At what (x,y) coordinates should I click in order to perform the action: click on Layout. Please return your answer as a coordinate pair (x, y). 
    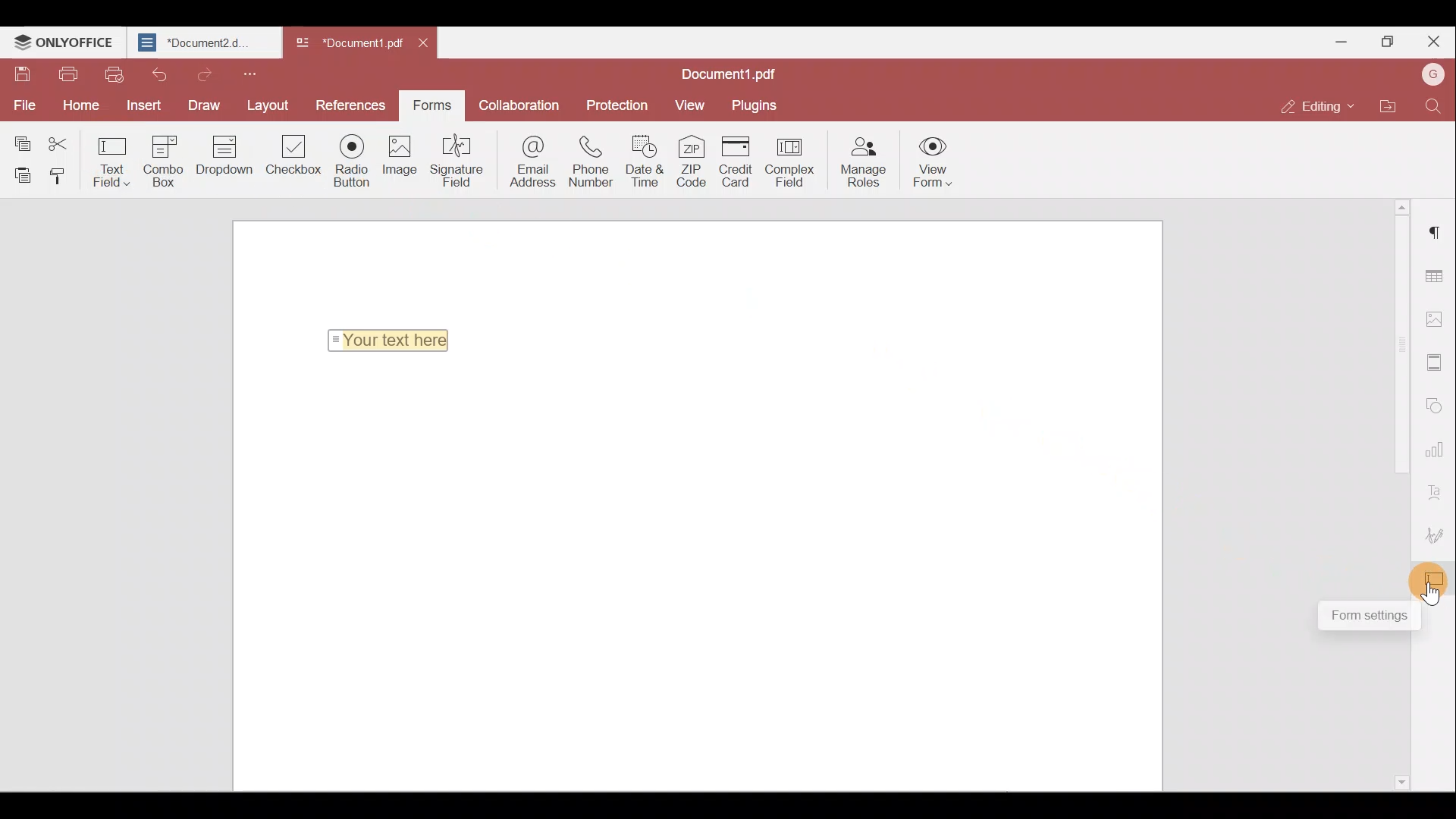
    Looking at the image, I should click on (267, 104).